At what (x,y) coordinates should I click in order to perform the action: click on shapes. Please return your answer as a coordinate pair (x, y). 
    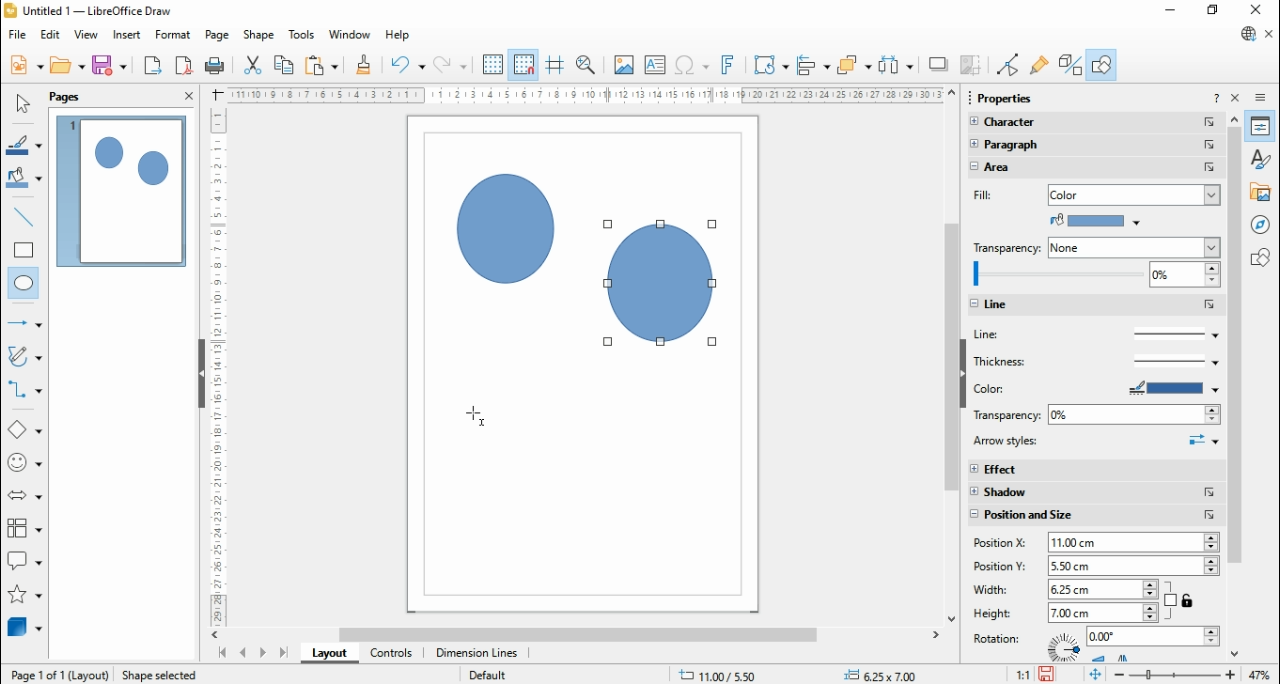
    Looking at the image, I should click on (1263, 256).